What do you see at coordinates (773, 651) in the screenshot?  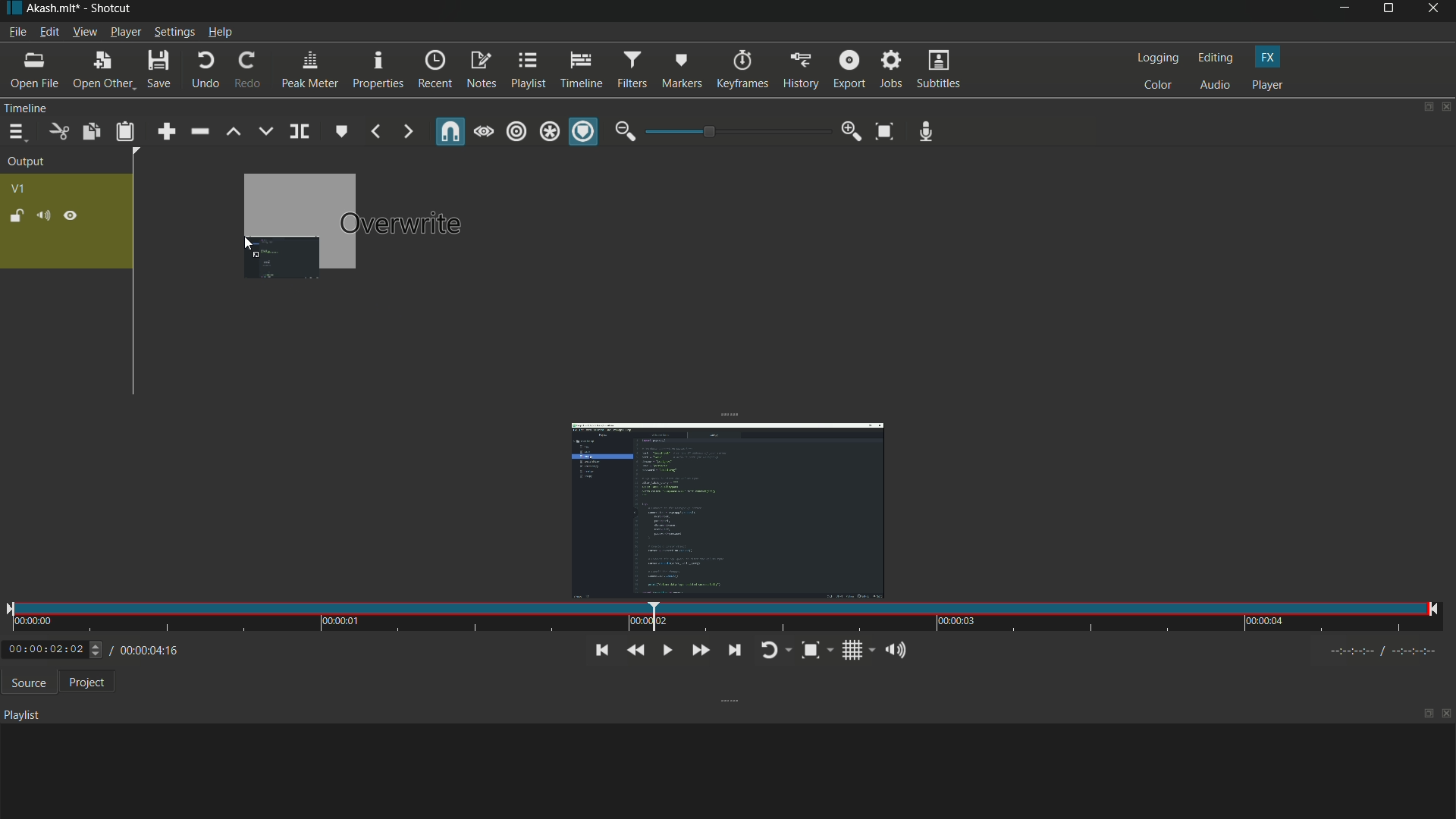 I see `toggle player looping` at bounding box center [773, 651].